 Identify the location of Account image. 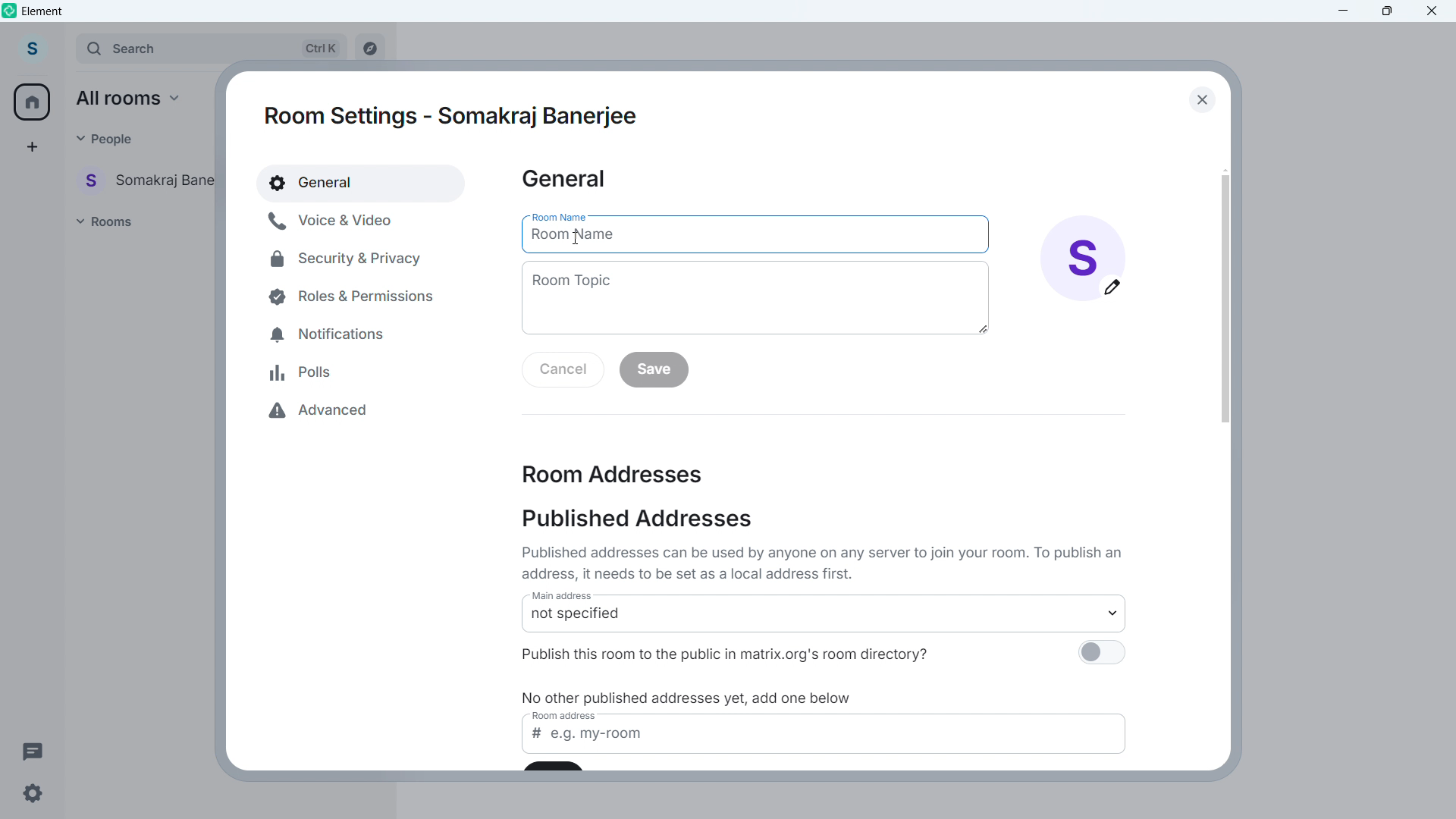
(1083, 258).